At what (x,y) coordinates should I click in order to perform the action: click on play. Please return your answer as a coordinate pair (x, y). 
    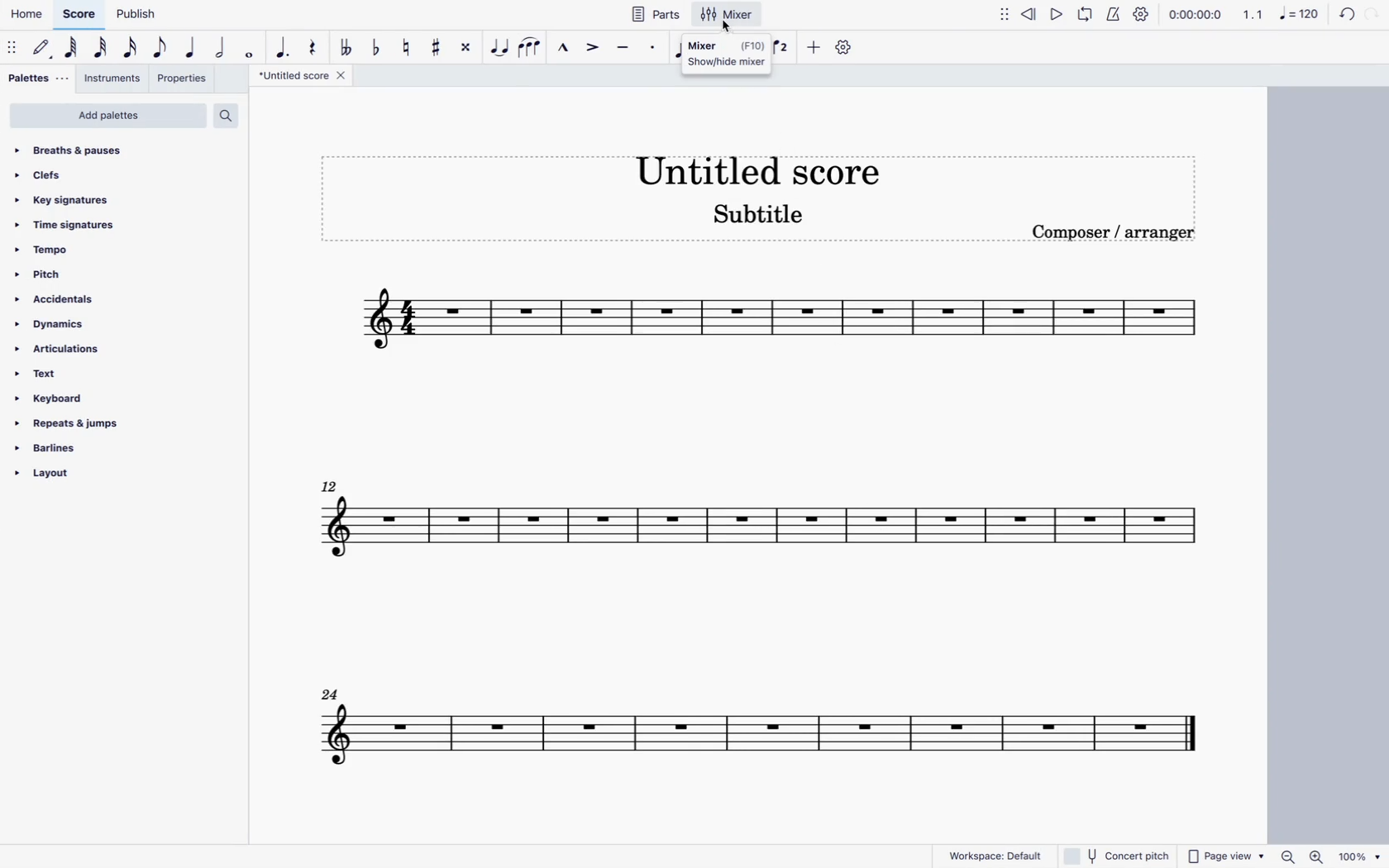
    Looking at the image, I should click on (1058, 13).